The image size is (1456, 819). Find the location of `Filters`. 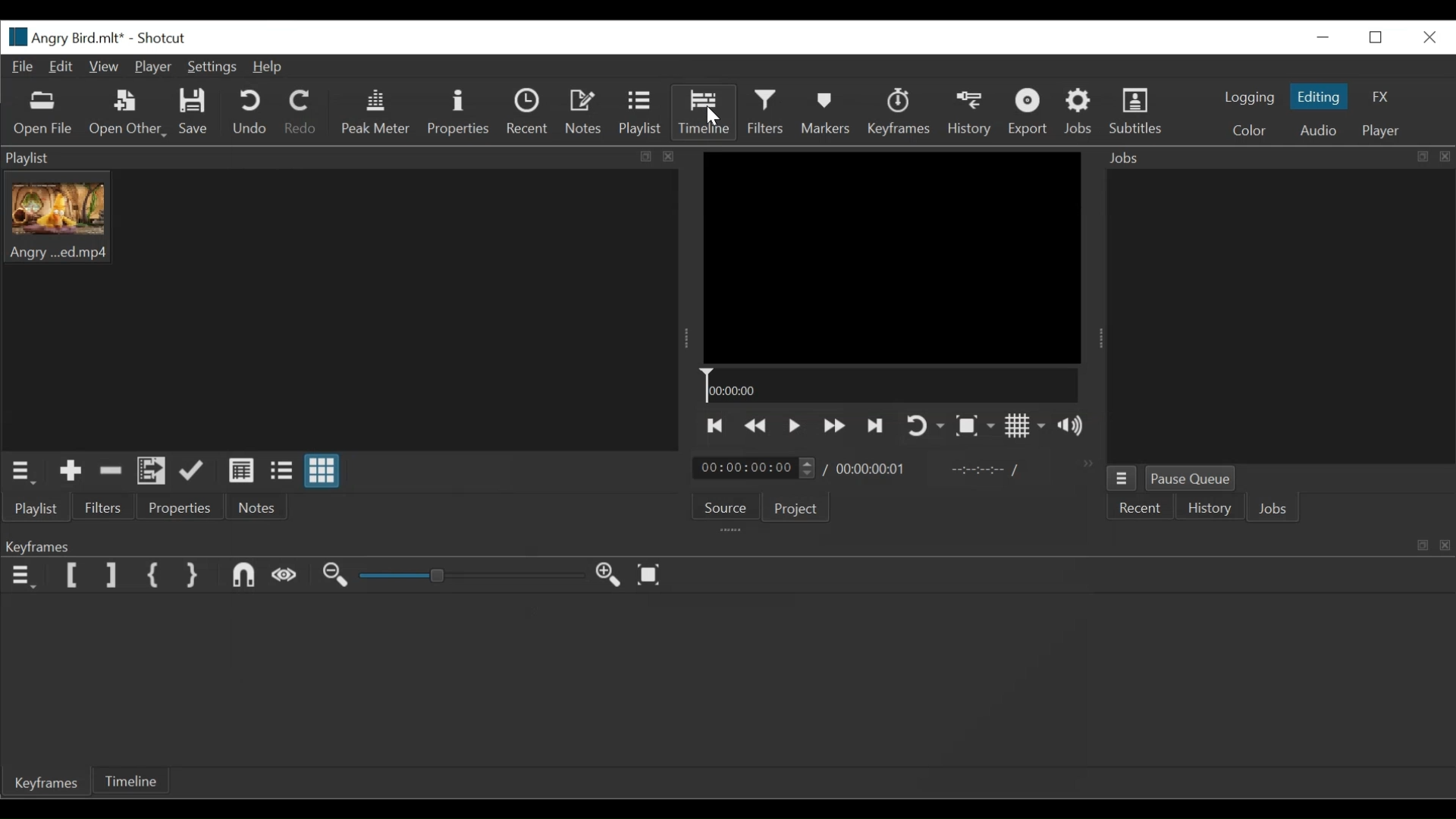

Filters is located at coordinates (105, 507).